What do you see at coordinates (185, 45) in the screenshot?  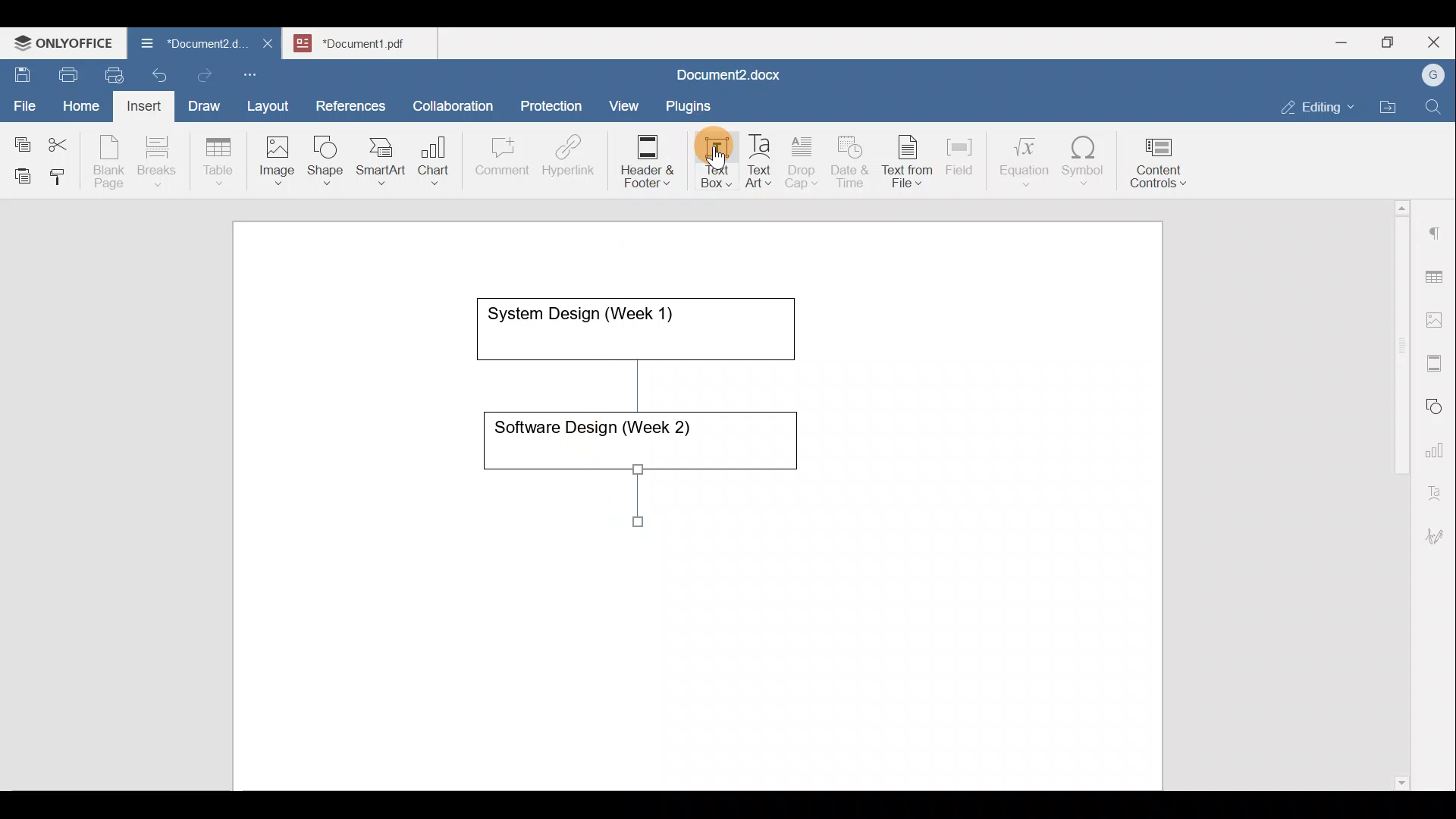 I see `Document name` at bounding box center [185, 45].